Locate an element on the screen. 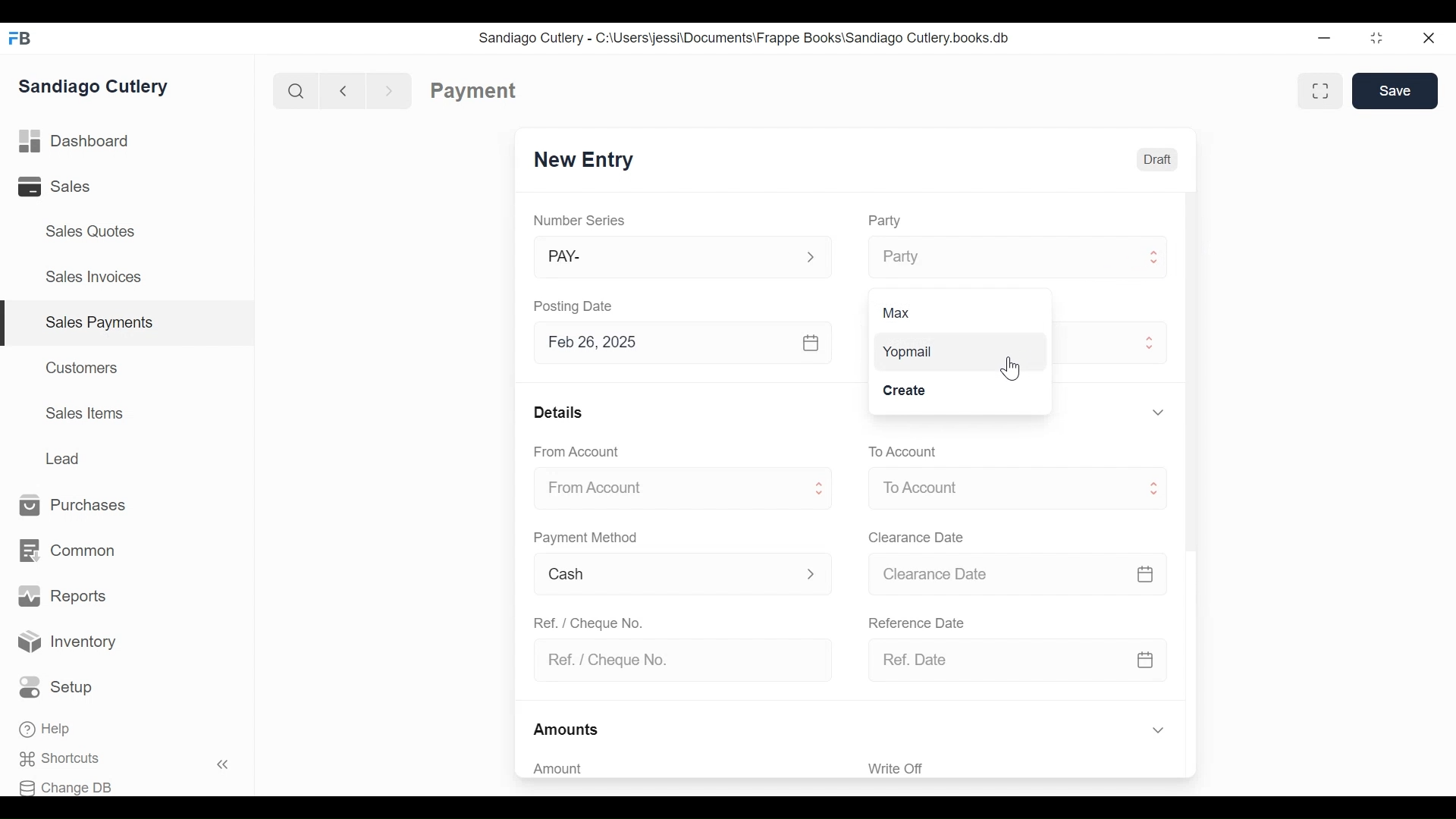 Image resolution: width=1456 pixels, height=819 pixels. Lead is located at coordinates (64, 459).